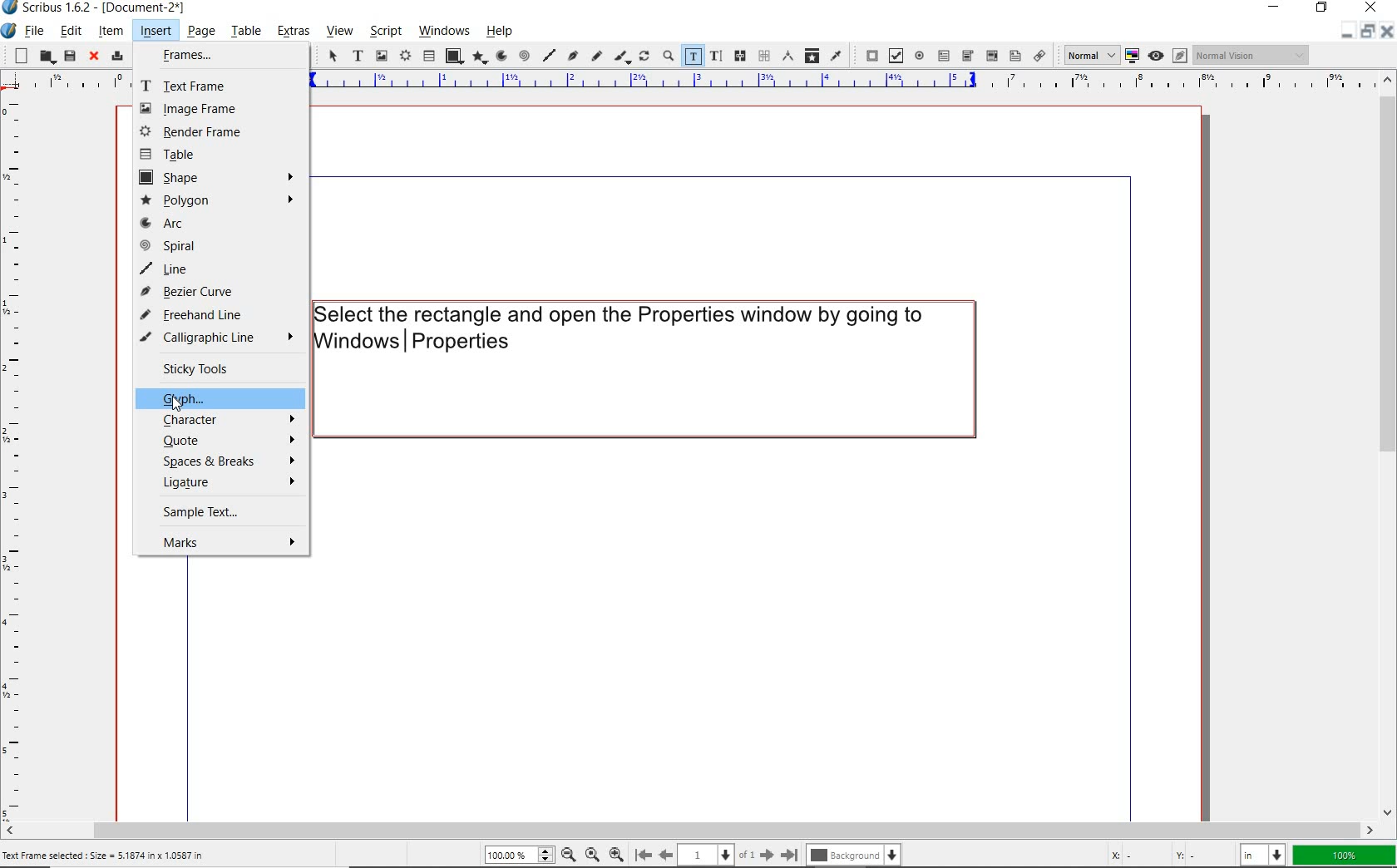  I want to click on select unit, so click(1264, 855).